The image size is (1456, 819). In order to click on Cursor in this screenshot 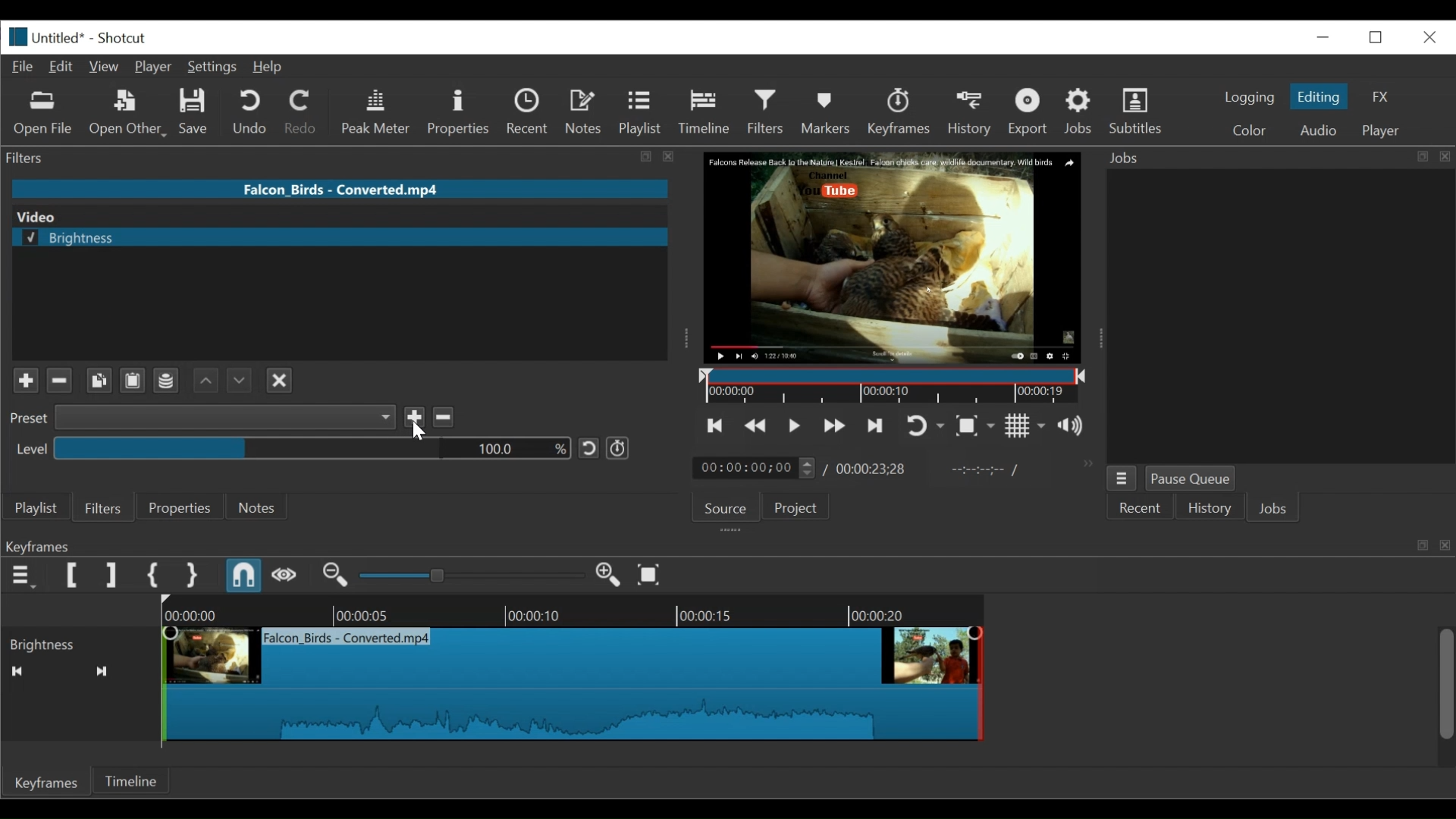, I will do `click(767, 127)`.